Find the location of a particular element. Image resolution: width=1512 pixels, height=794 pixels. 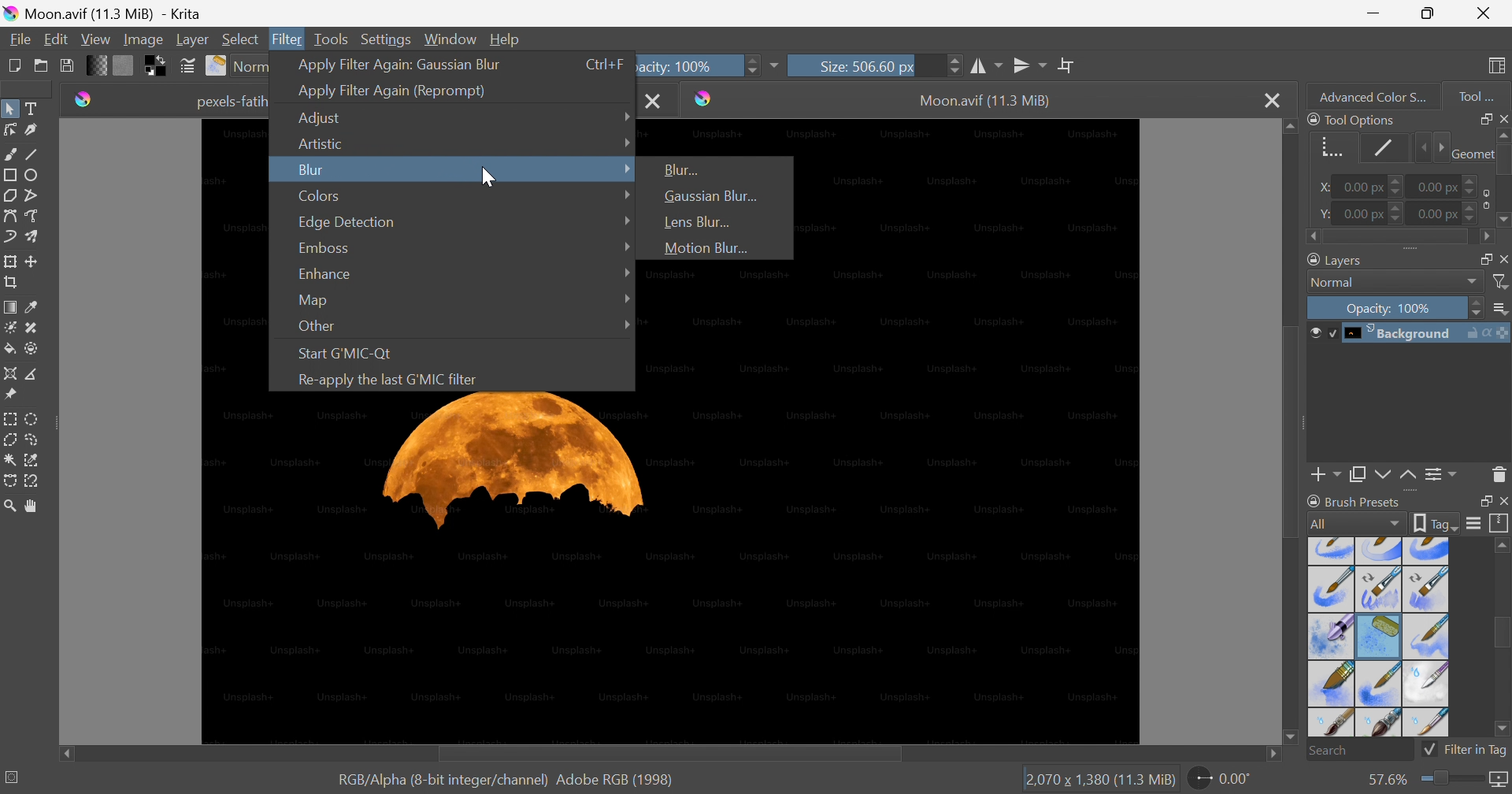

Drop Down is located at coordinates (628, 170).